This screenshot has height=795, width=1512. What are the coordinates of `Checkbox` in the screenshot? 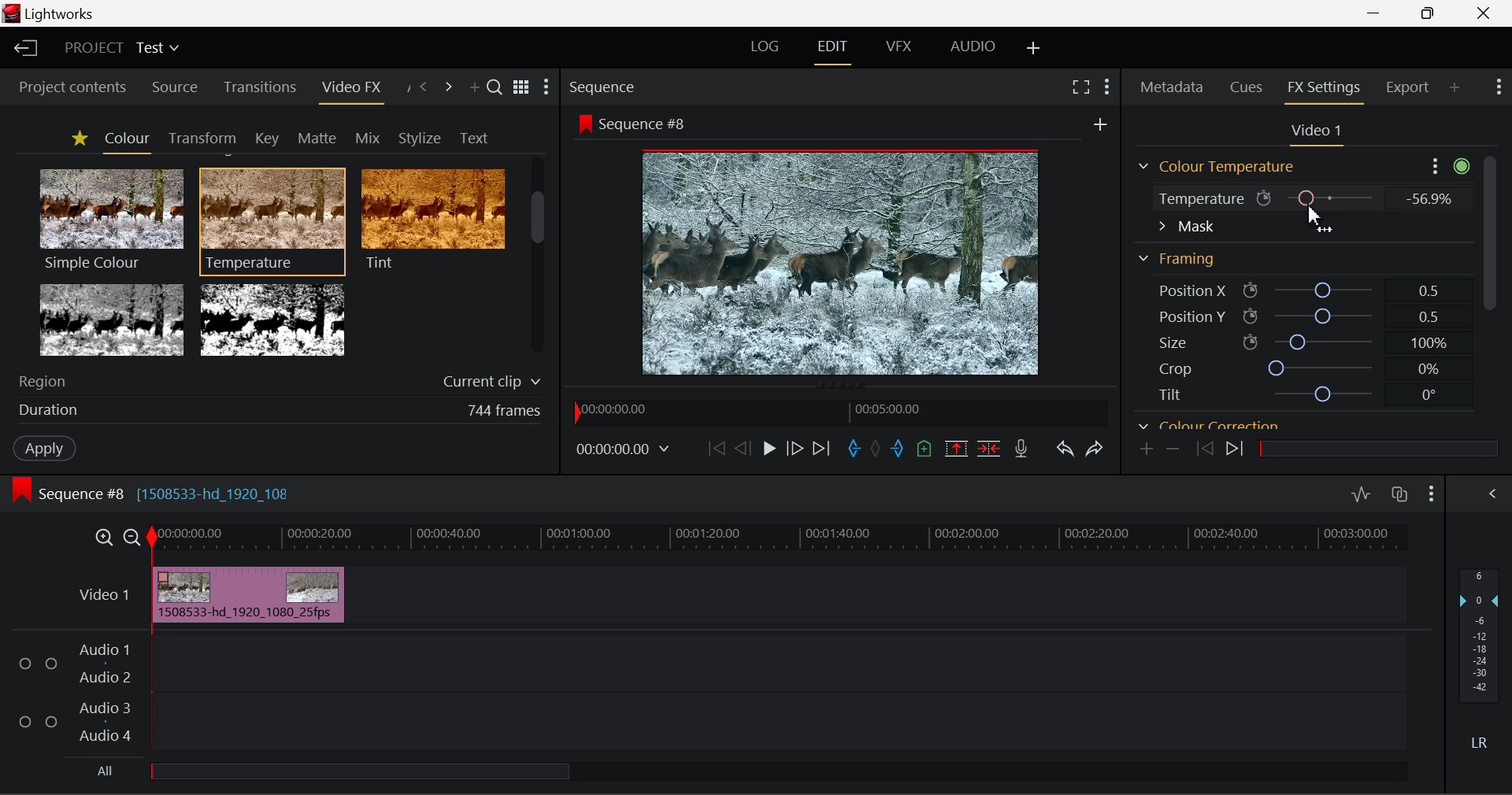 It's located at (52, 663).